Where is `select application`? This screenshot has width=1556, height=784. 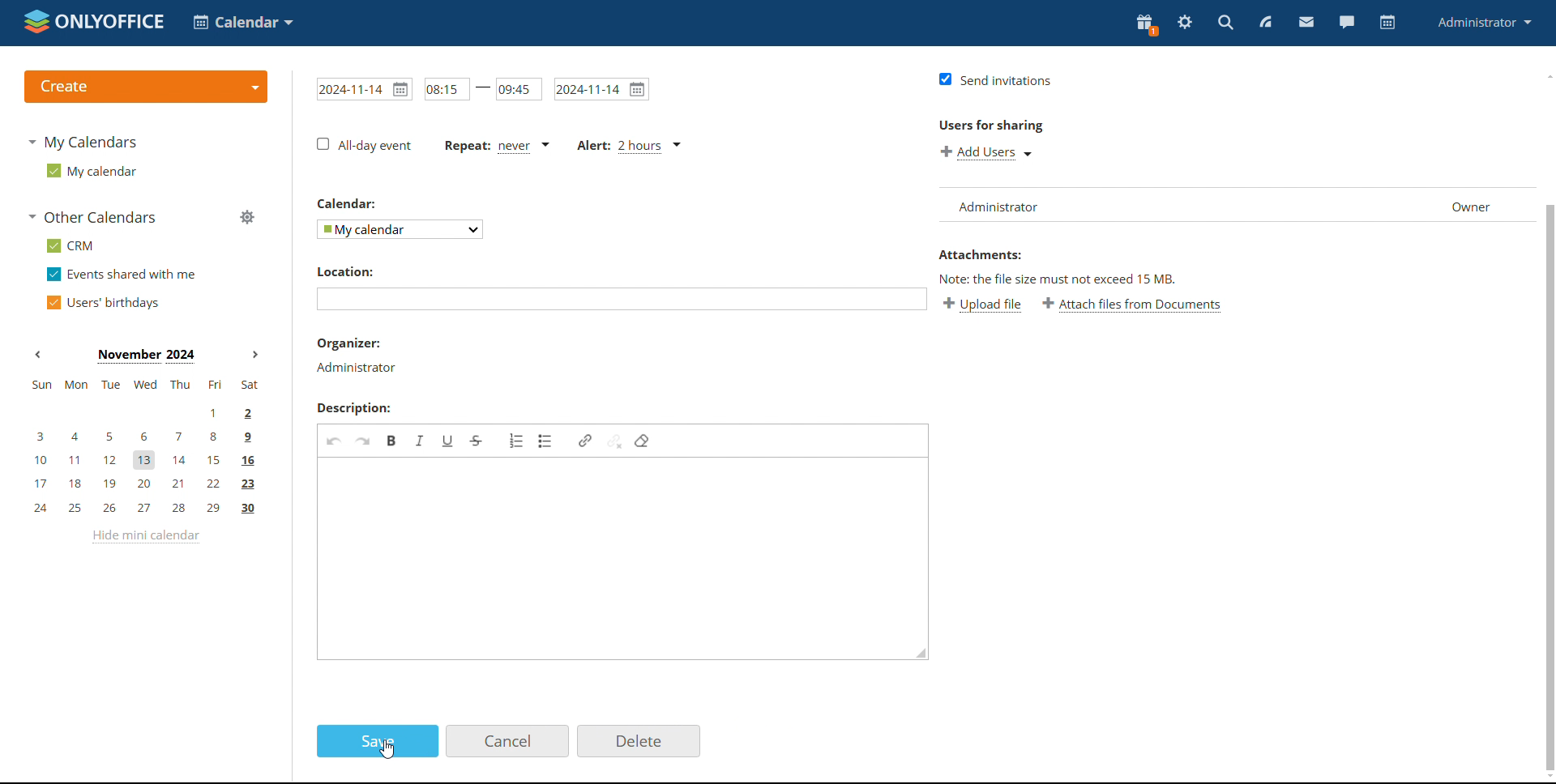 select application is located at coordinates (242, 22).